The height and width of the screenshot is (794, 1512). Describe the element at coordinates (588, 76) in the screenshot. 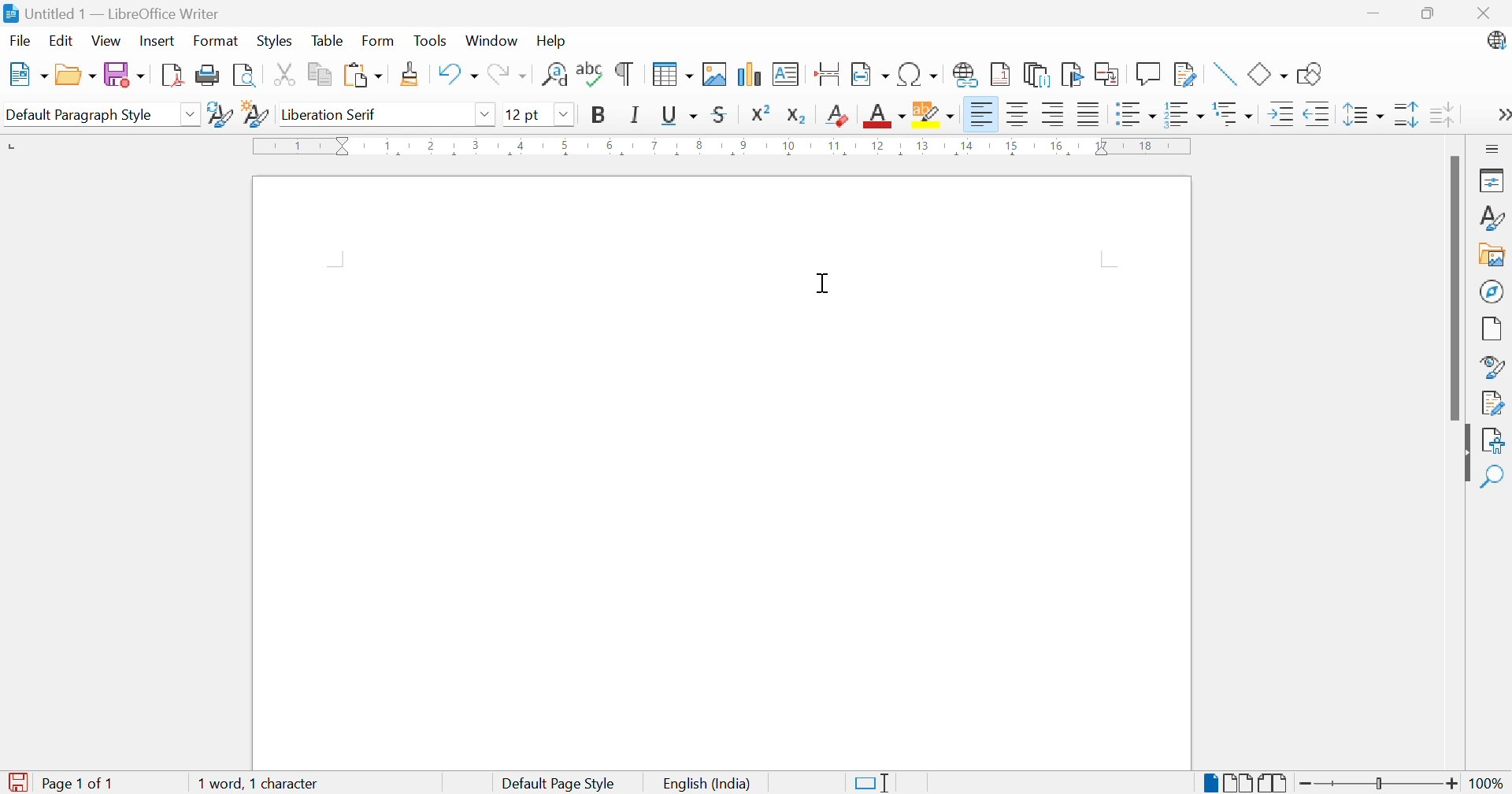

I see `Check Spelling` at that location.